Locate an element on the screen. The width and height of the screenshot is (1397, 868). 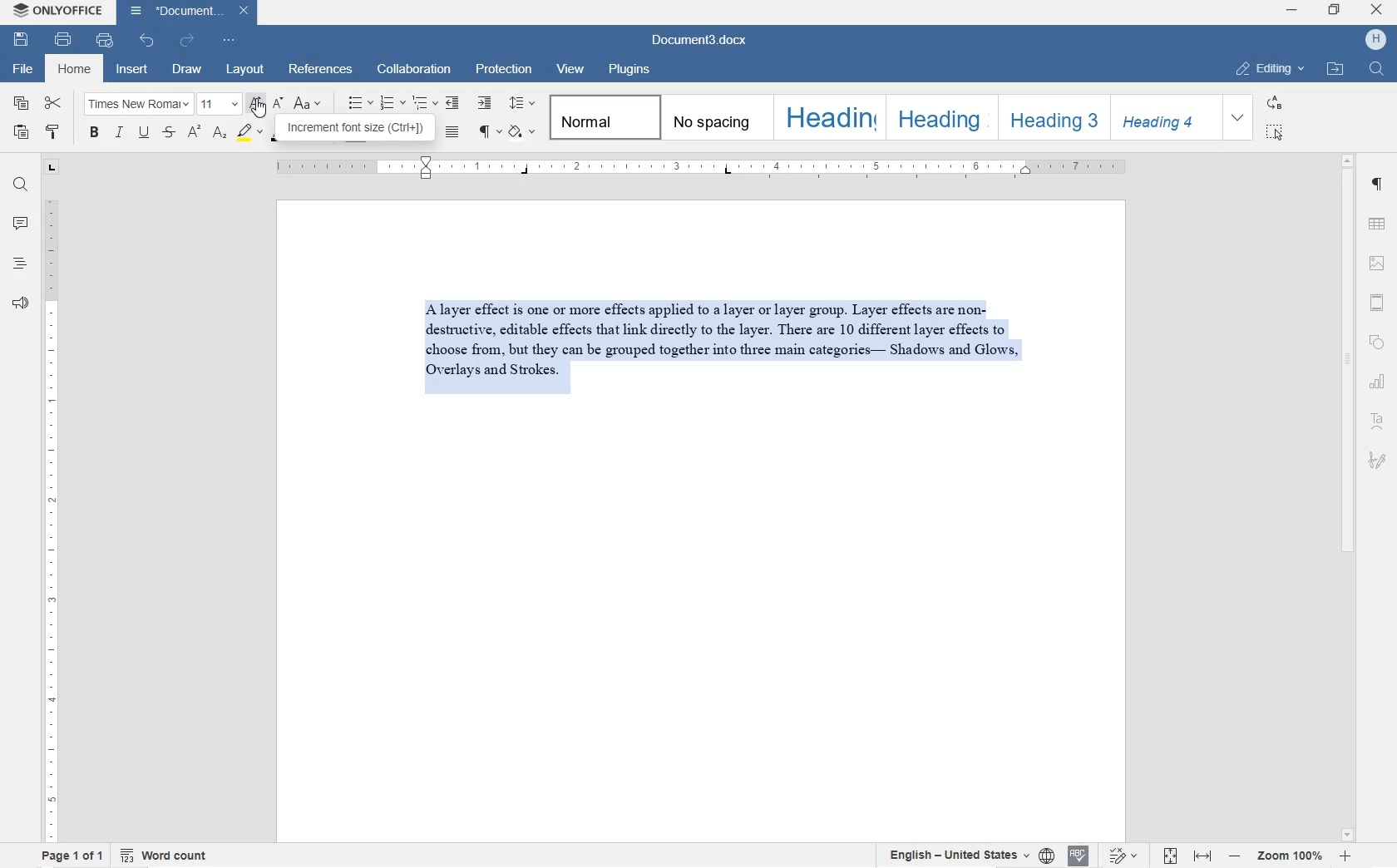
bullet is located at coordinates (360, 101).